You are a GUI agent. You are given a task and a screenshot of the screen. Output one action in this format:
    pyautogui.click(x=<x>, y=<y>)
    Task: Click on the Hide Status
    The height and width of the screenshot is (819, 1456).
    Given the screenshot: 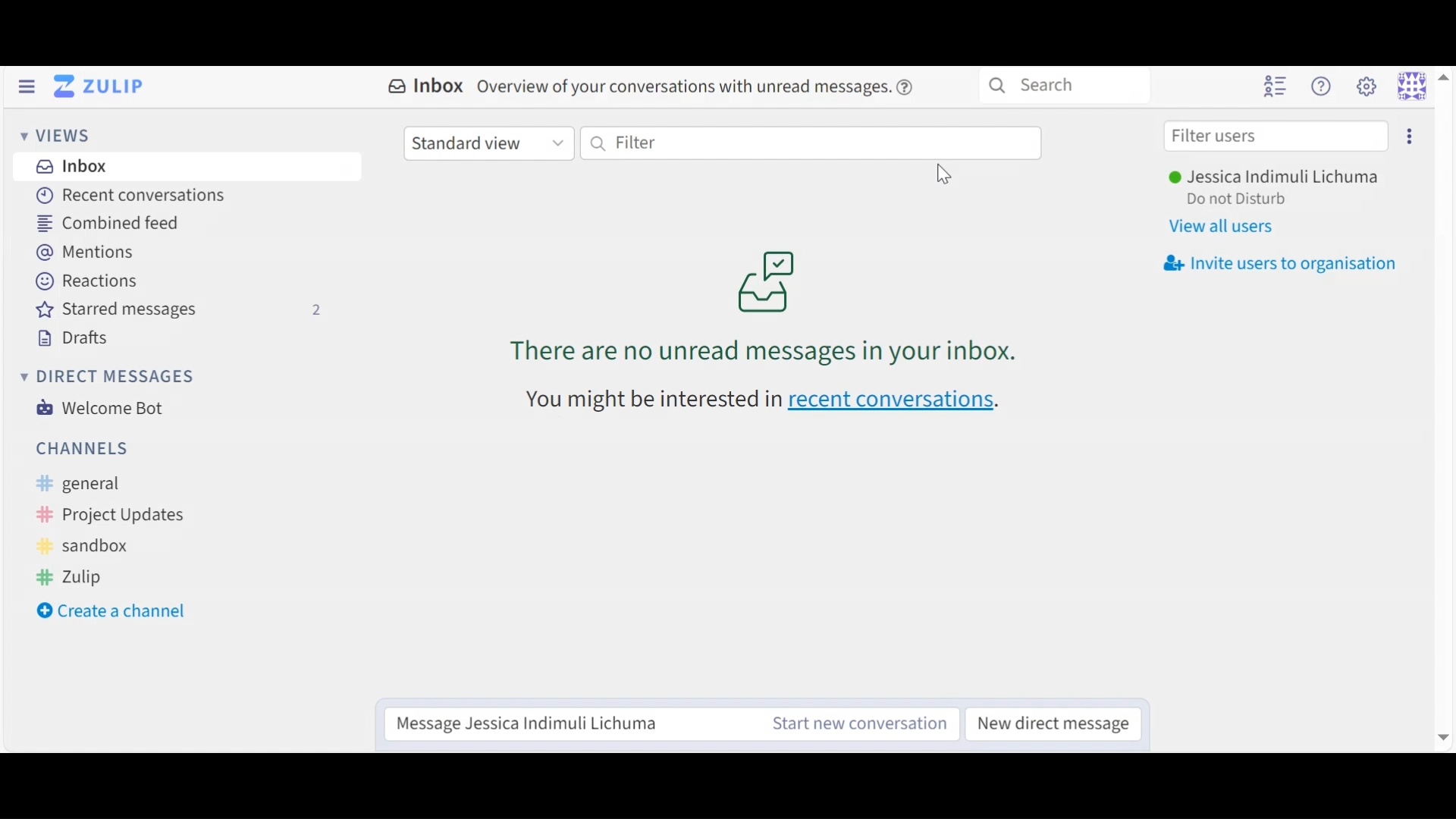 What is the action you would take?
    pyautogui.click(x=26, y=86)
    